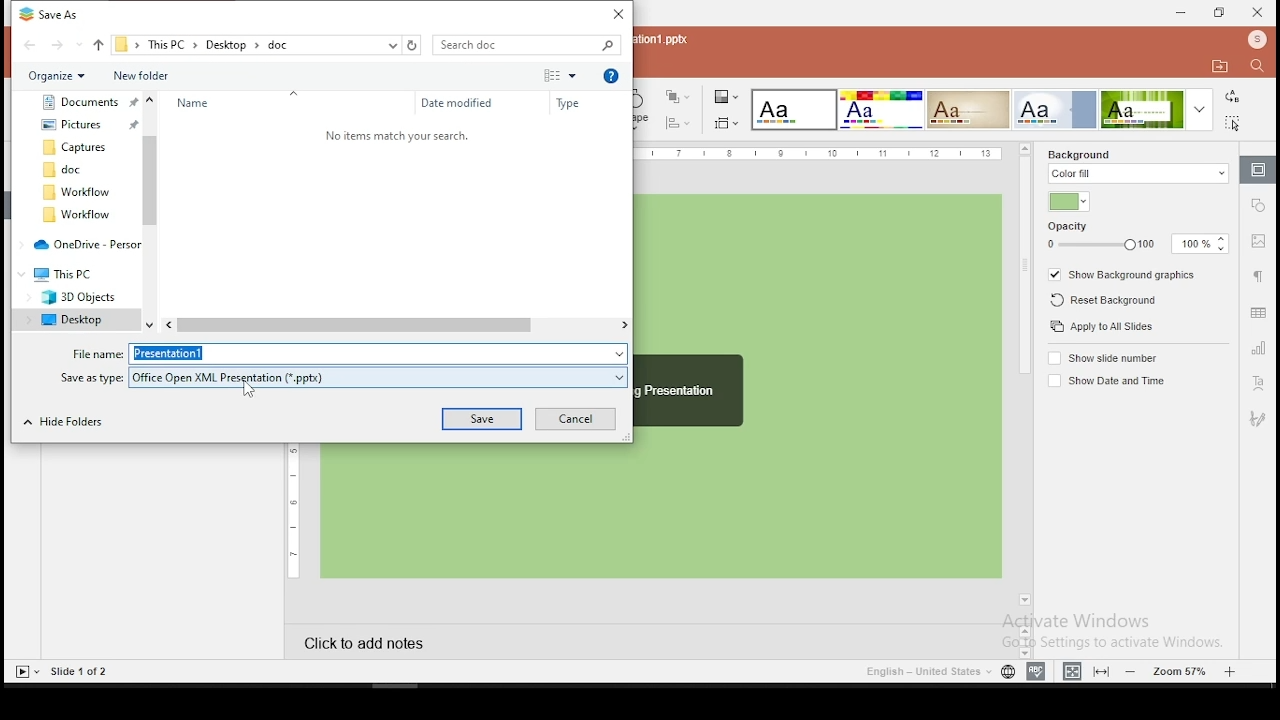 The image size is (1280, 720). What do you see at coordinates (75, 192) in the screenshot?
I see `workflow` at bounding box center [75, 192].